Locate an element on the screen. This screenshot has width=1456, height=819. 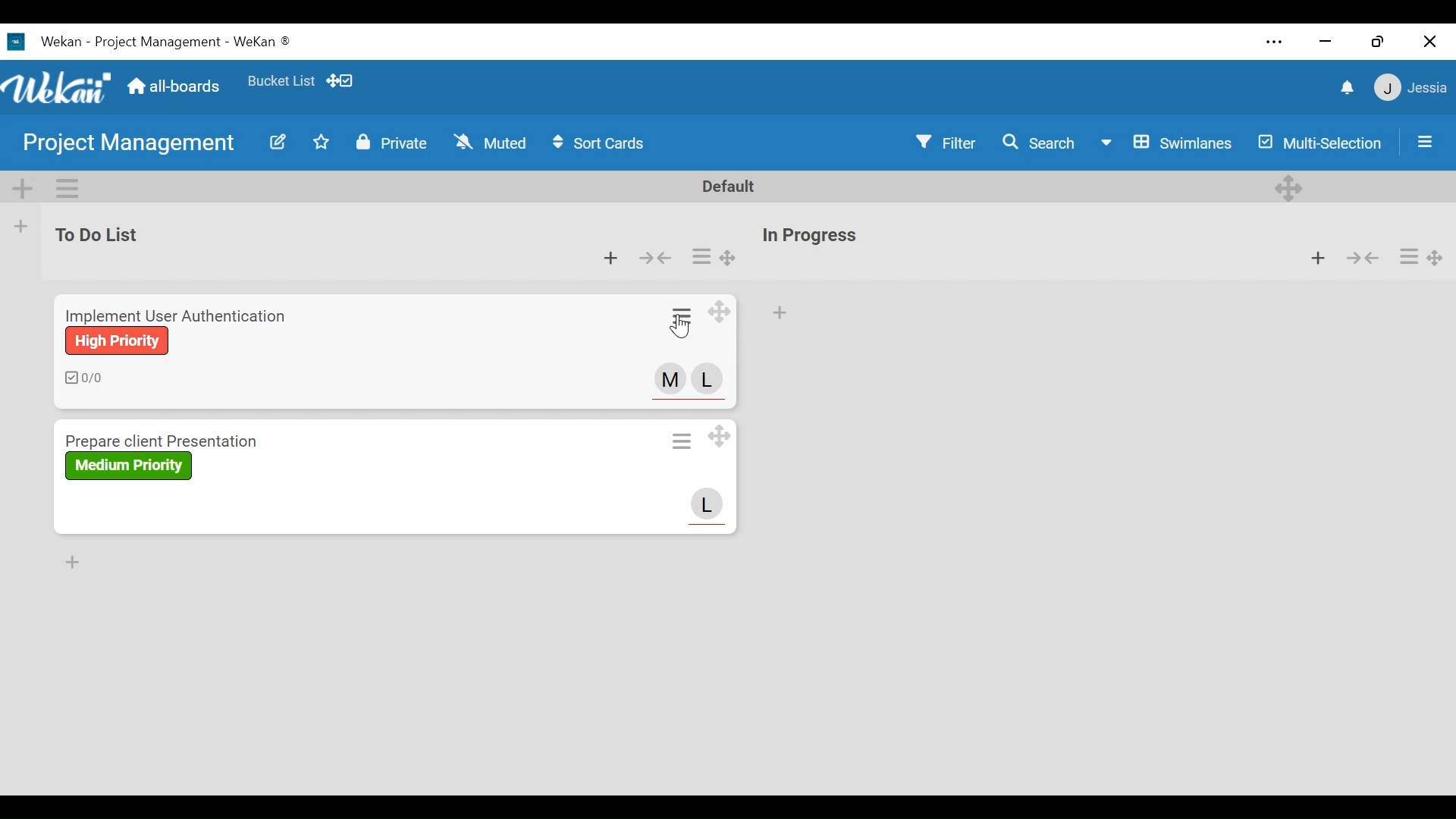
Software logo is located at coordinates (16, 42).